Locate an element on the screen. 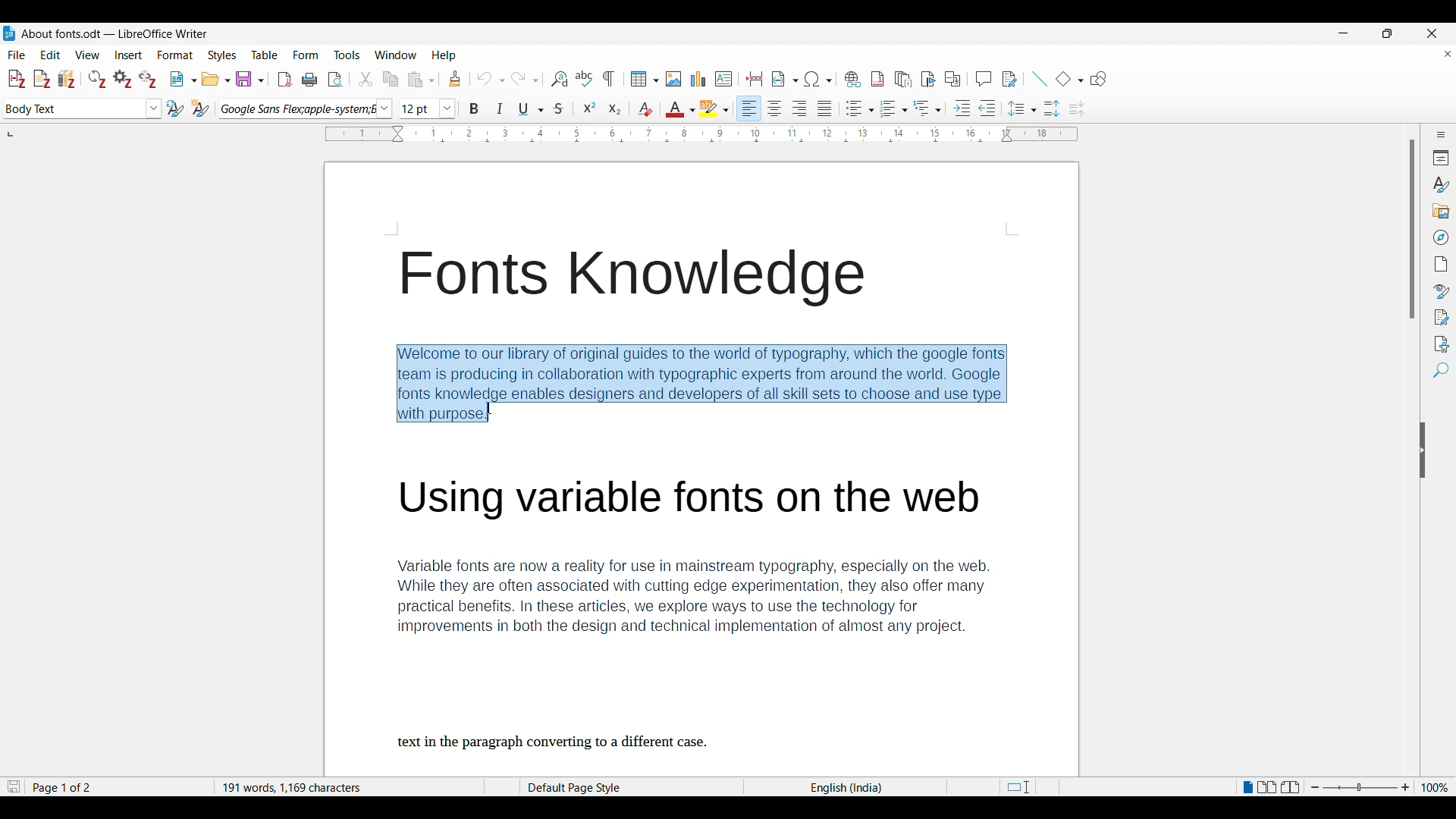 The height and width of the screenshot is (819, 1456). Update selected style is located at coordinates (175, 108).